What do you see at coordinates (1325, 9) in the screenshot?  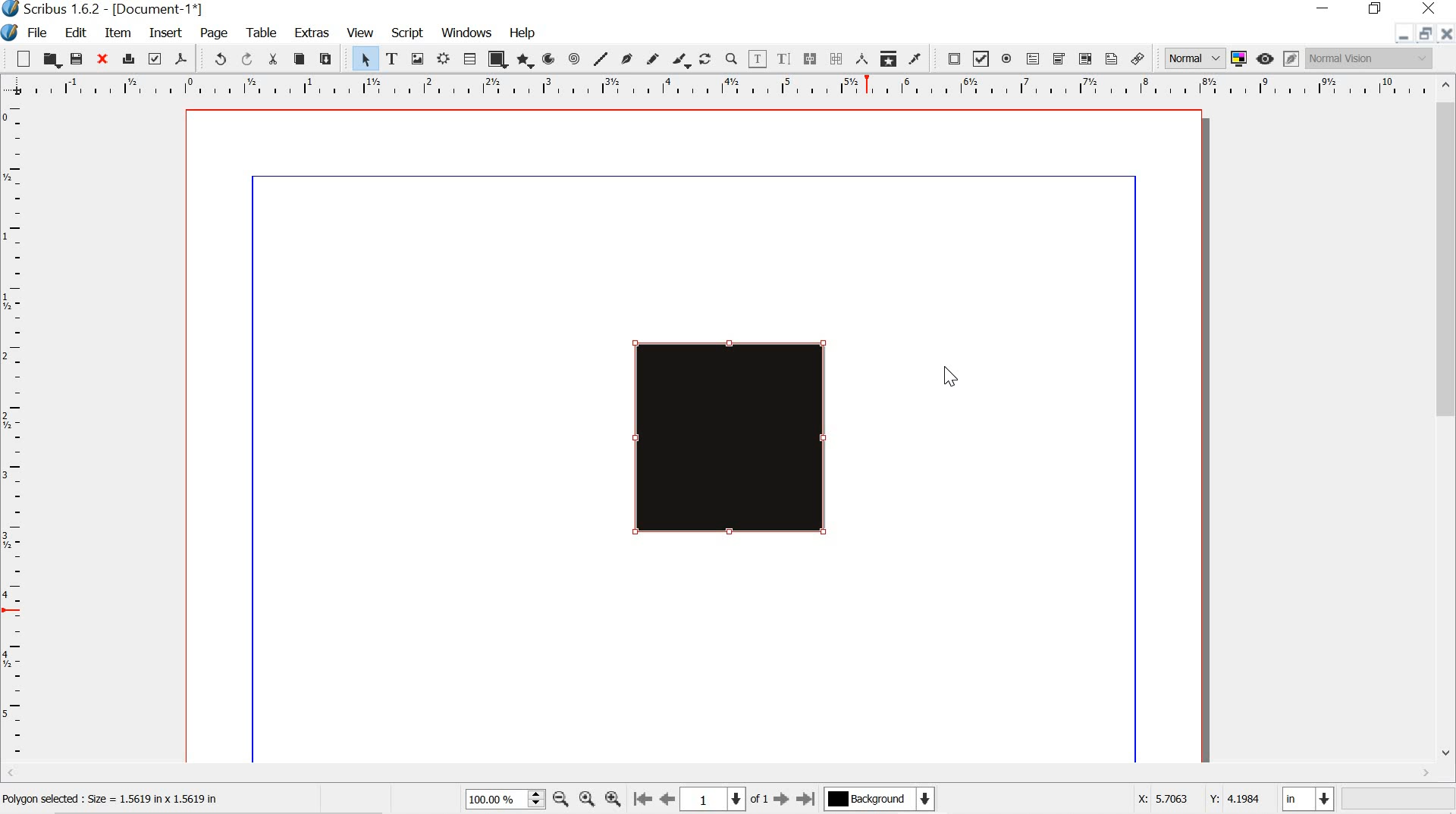 I see `minimize` at bounding box center [1325, 9].